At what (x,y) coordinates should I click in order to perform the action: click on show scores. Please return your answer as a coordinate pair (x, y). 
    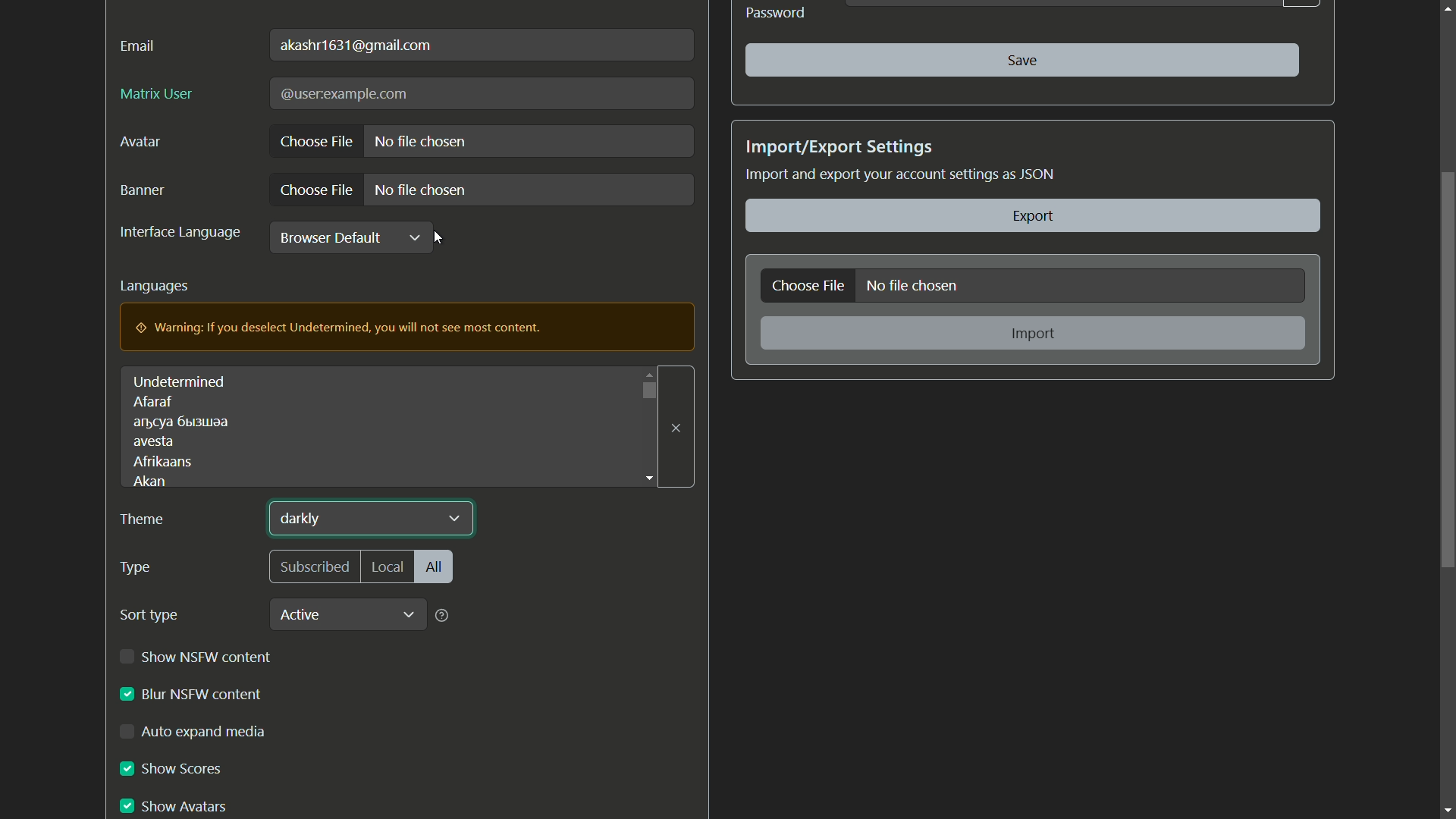
    Looking at the image, I should click on (184, 769).